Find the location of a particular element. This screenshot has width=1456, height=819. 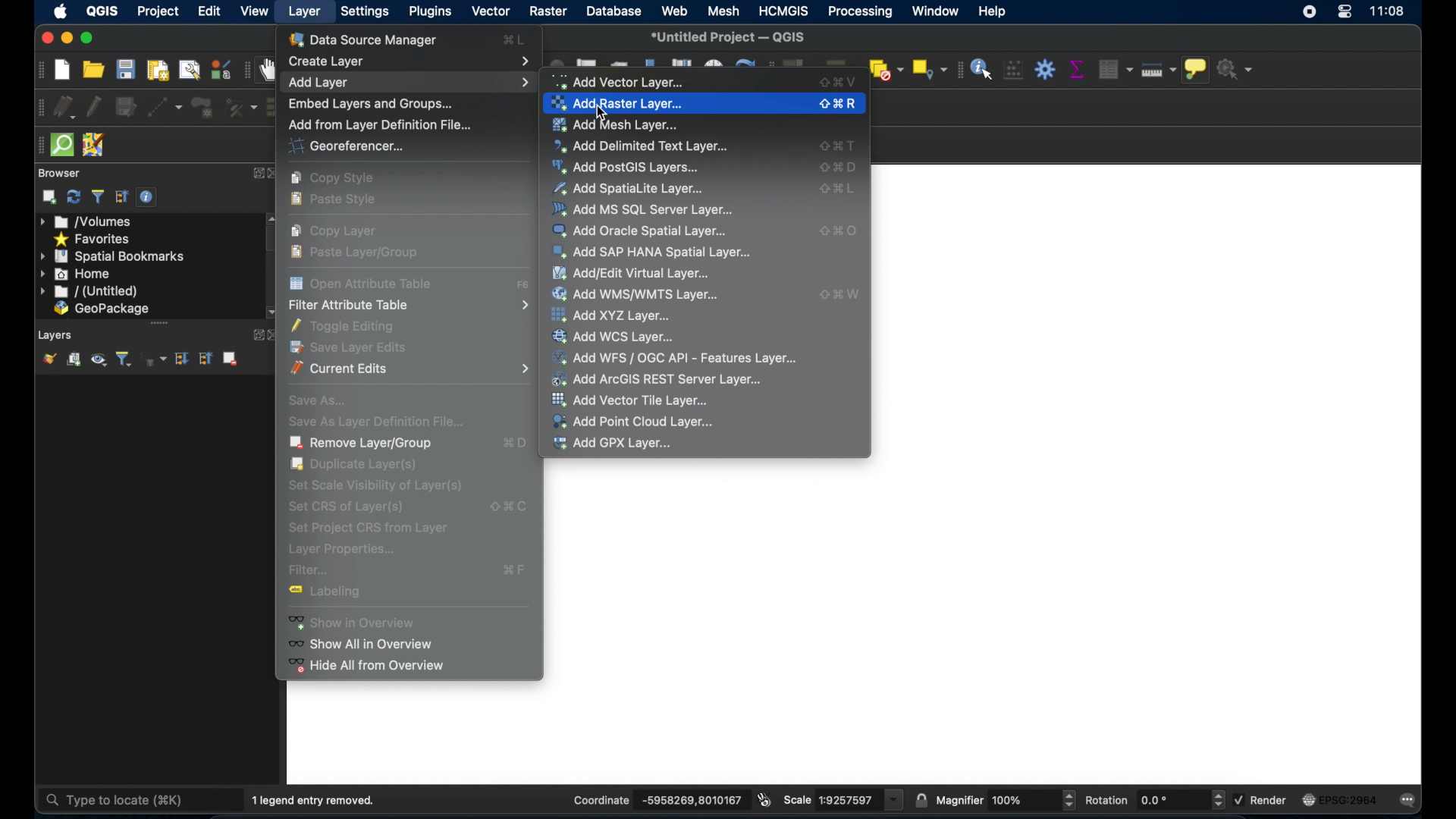

drag handle is located at coordinates (160, 322).